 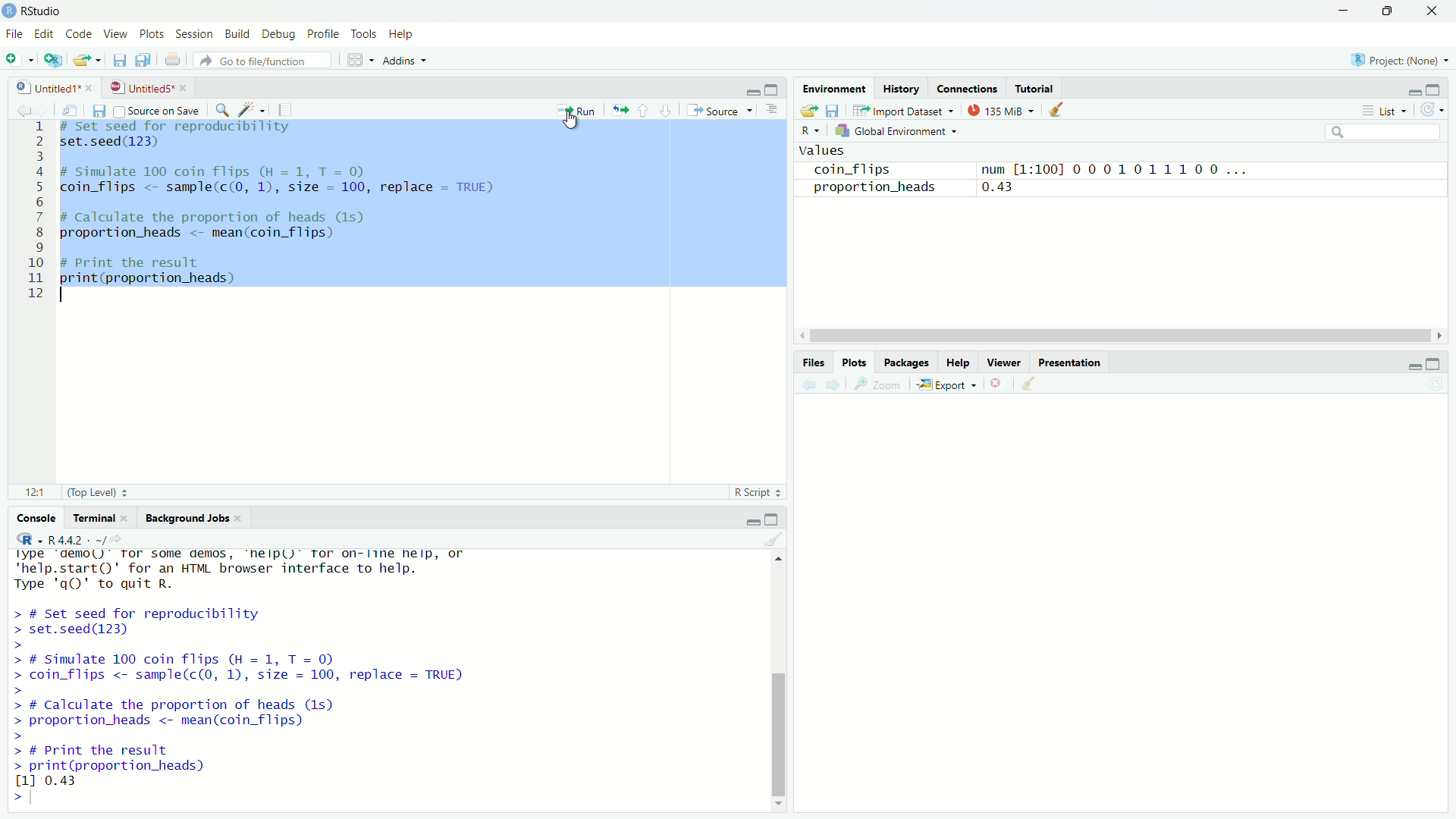 What do you see at coordinates (117, 143) in the screenshot?
I see `set.seed(123)` at bounding box center [117, 143].